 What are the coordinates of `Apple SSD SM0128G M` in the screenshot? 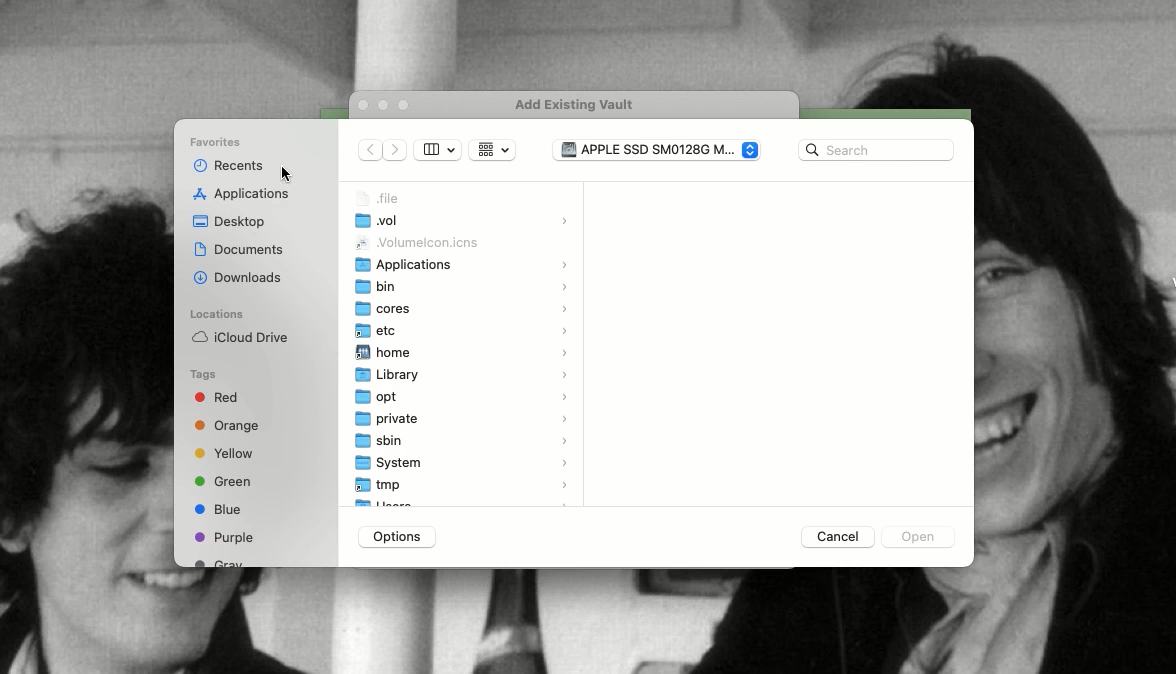 It's located at (654, 149).